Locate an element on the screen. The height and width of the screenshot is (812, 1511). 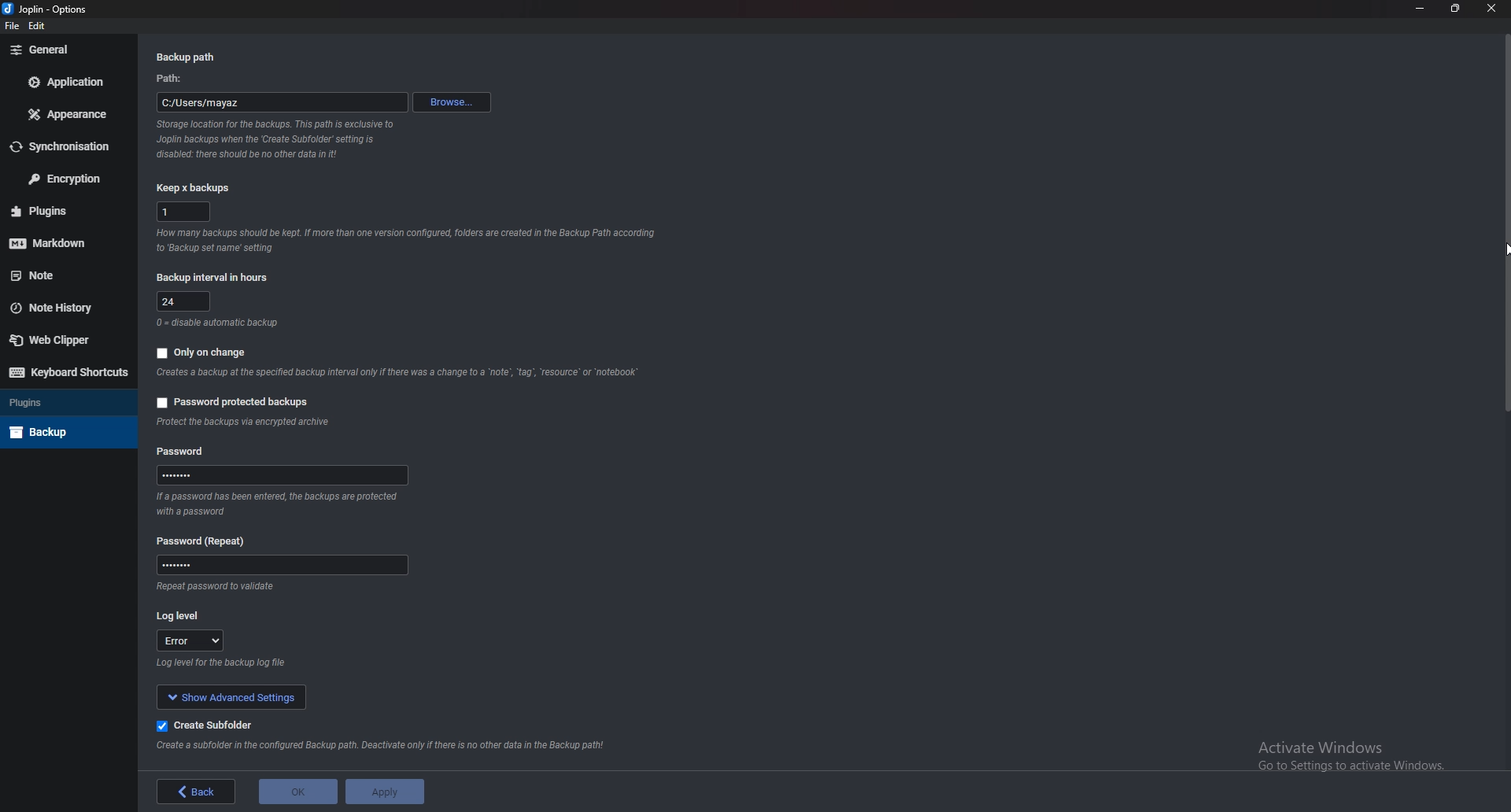
error is located at coordinates (189, 640).